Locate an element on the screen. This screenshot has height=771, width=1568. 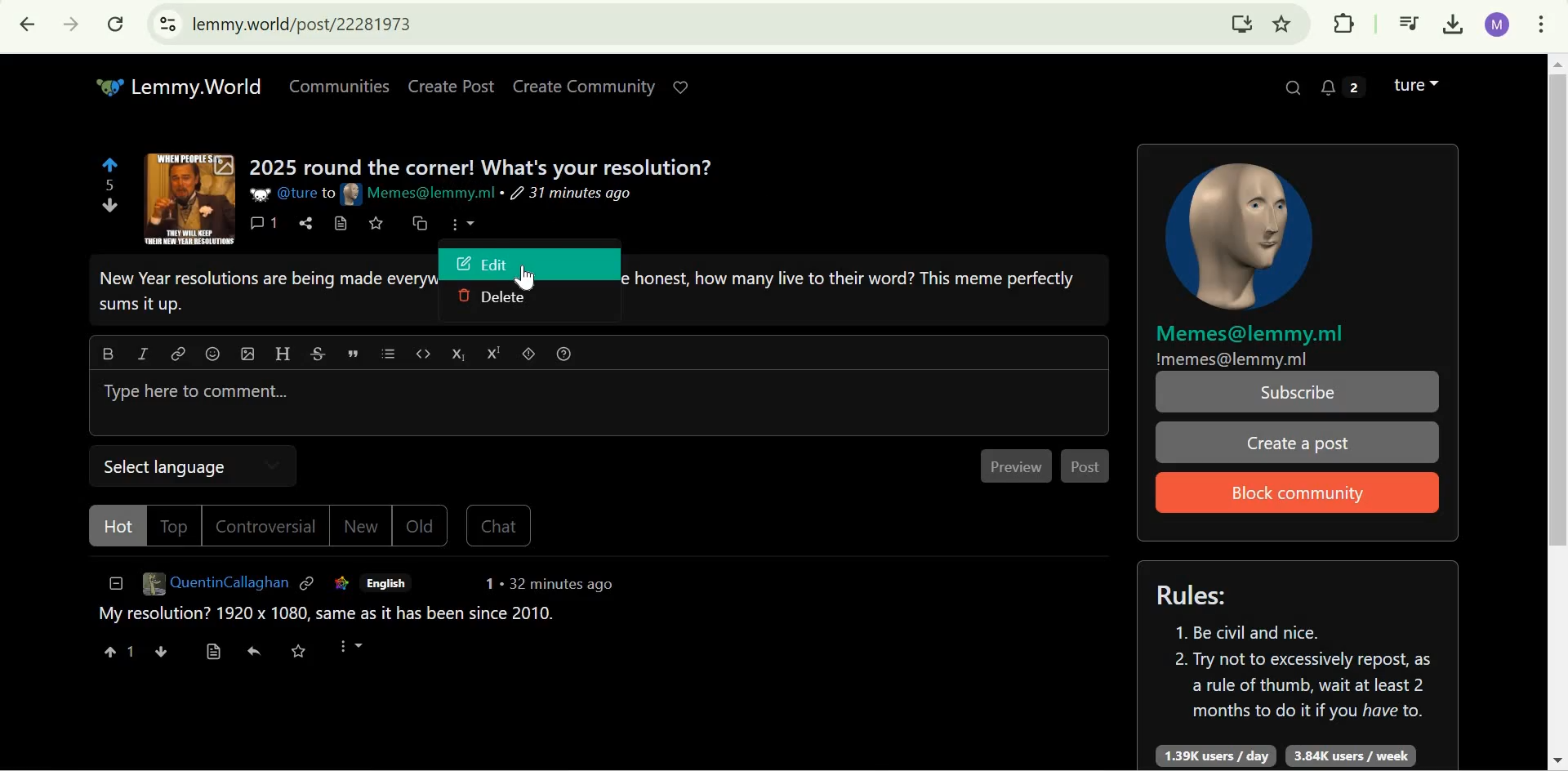
view source is located at coordinates (342, 224).